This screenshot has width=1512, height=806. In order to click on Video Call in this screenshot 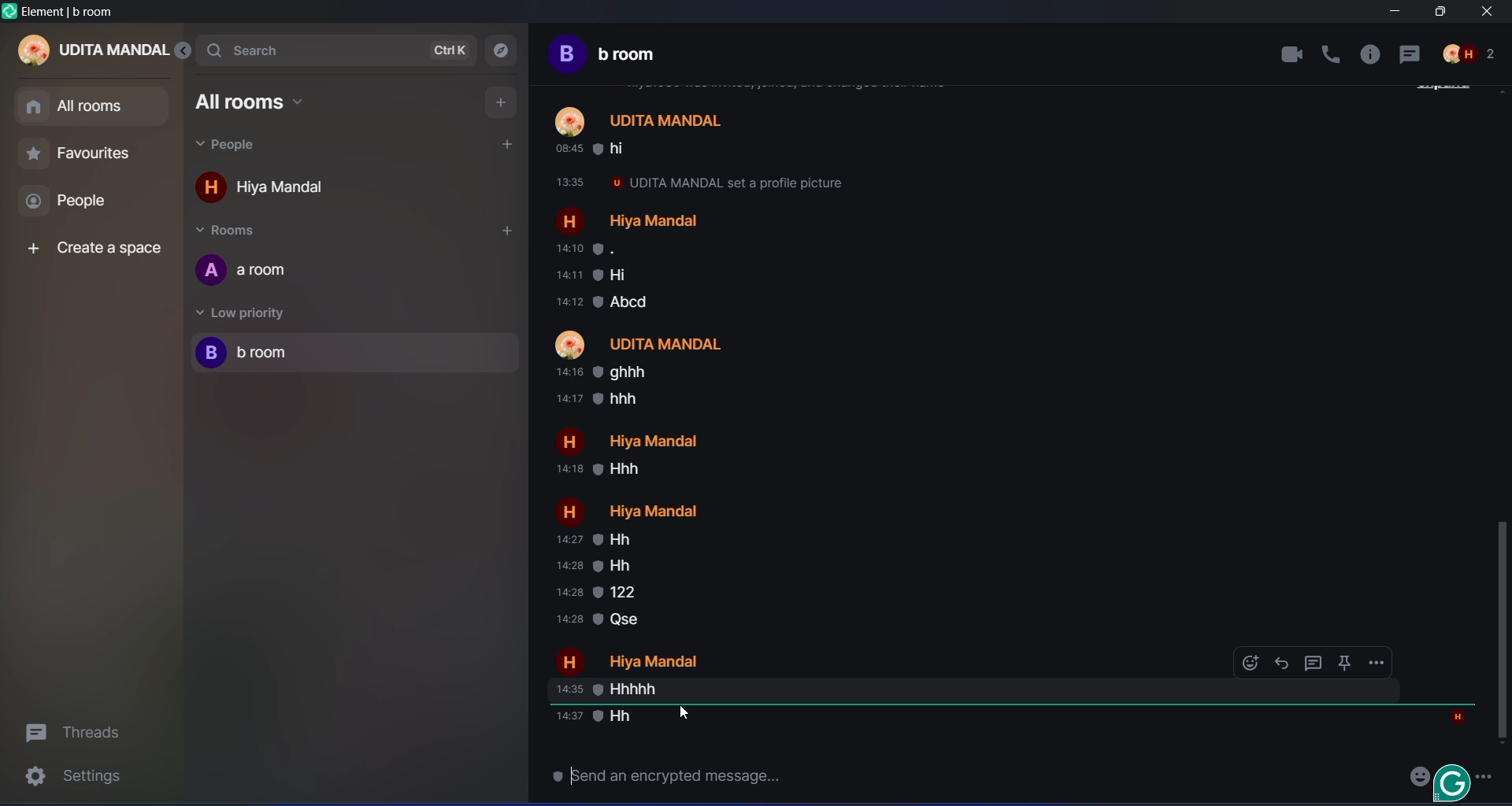, I will do `click(1282, 54)`.